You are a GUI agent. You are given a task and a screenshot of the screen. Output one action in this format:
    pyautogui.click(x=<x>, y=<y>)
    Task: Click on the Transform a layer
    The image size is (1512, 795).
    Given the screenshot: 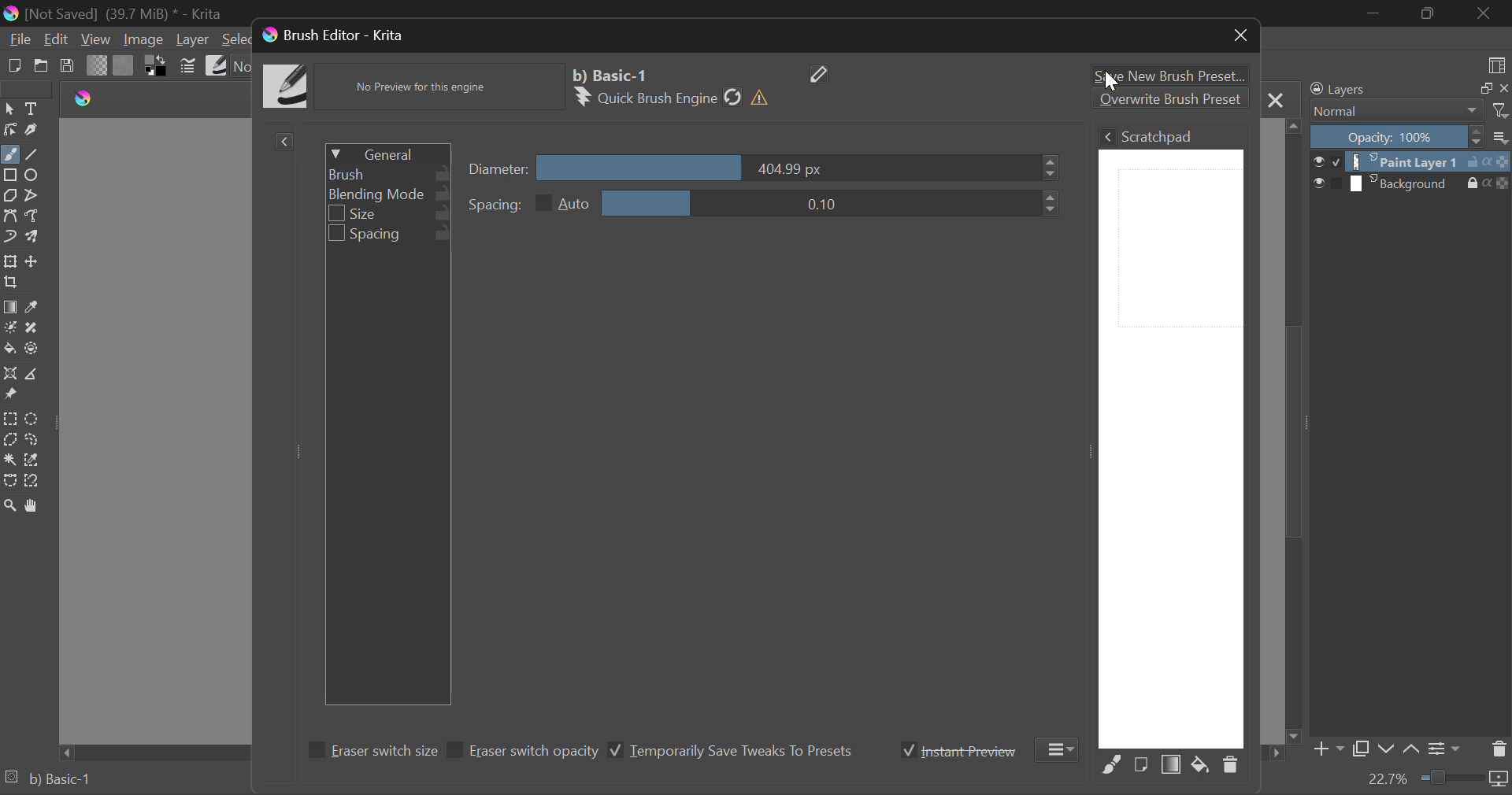 What is the action you would take?
    pyautogui.click(x=9, y=261)
    